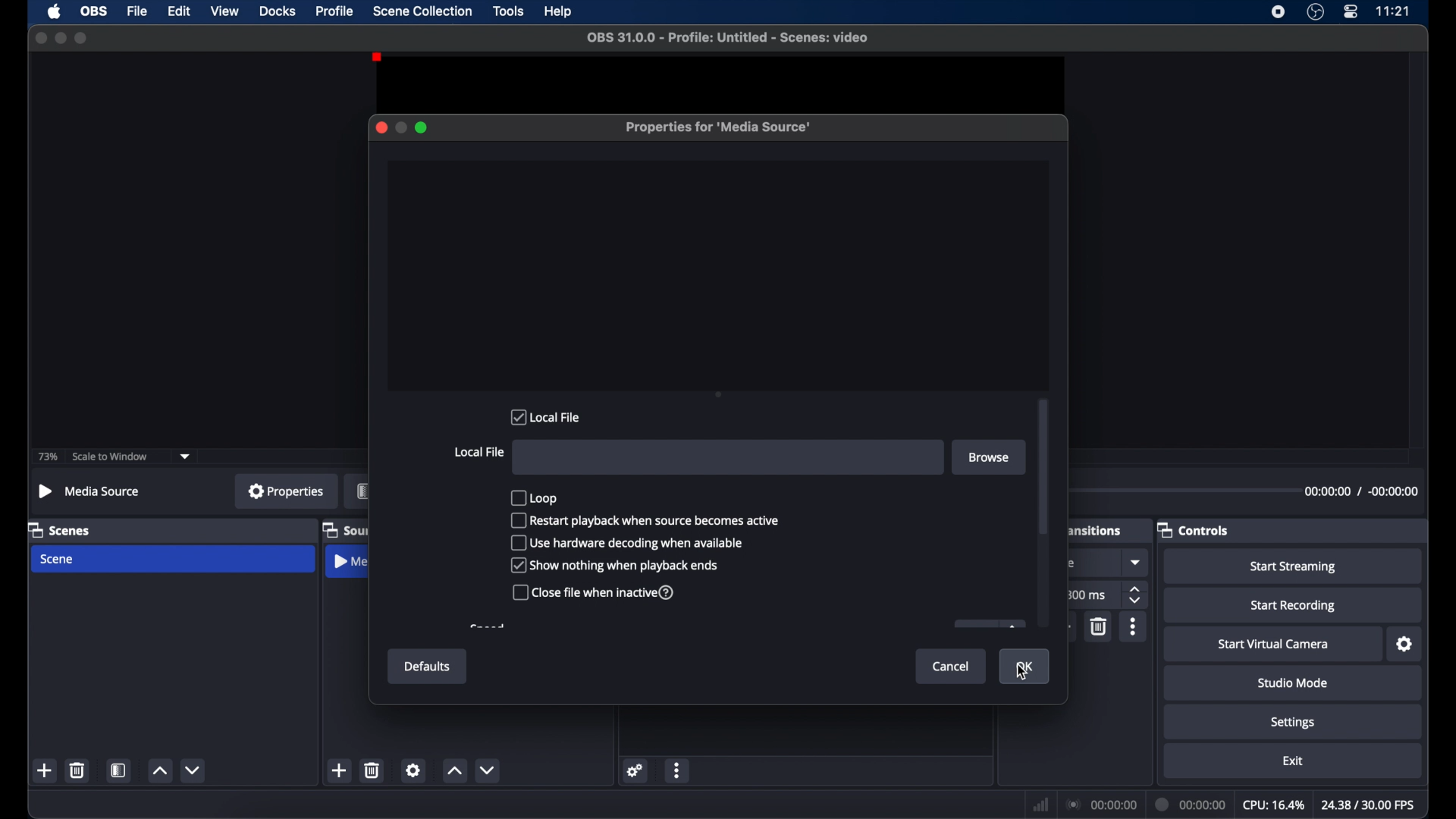 This screenshot has height=819, width=1456. What do you see at coordinates (78, 770) in the screenshot?
I see `delete` at bounding box center [78, 770].